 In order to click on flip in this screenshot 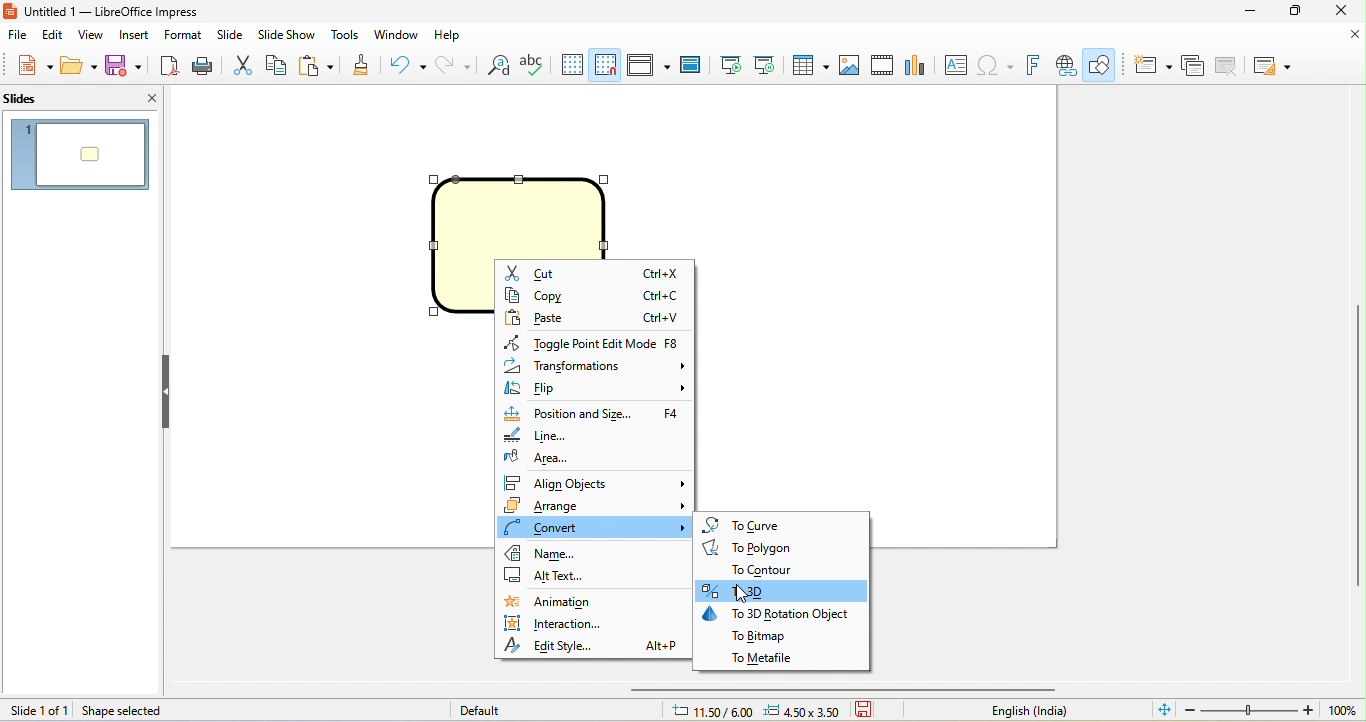, I will do `click(597, 389)`.